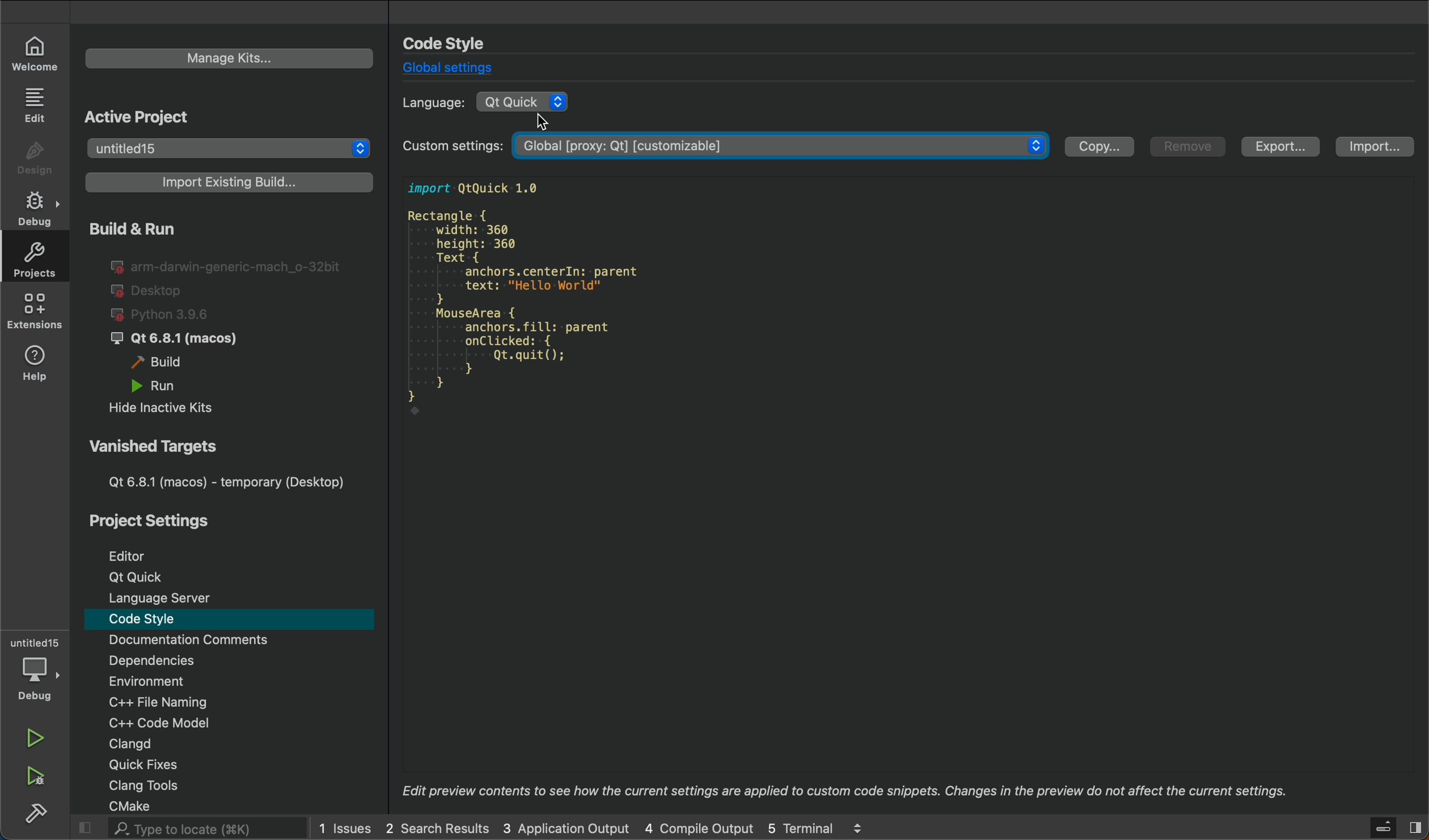 This screenshot has height=840, width=1429. Describe the element at coordinates (36, 366) in the screenshot. I see `help` at that location.